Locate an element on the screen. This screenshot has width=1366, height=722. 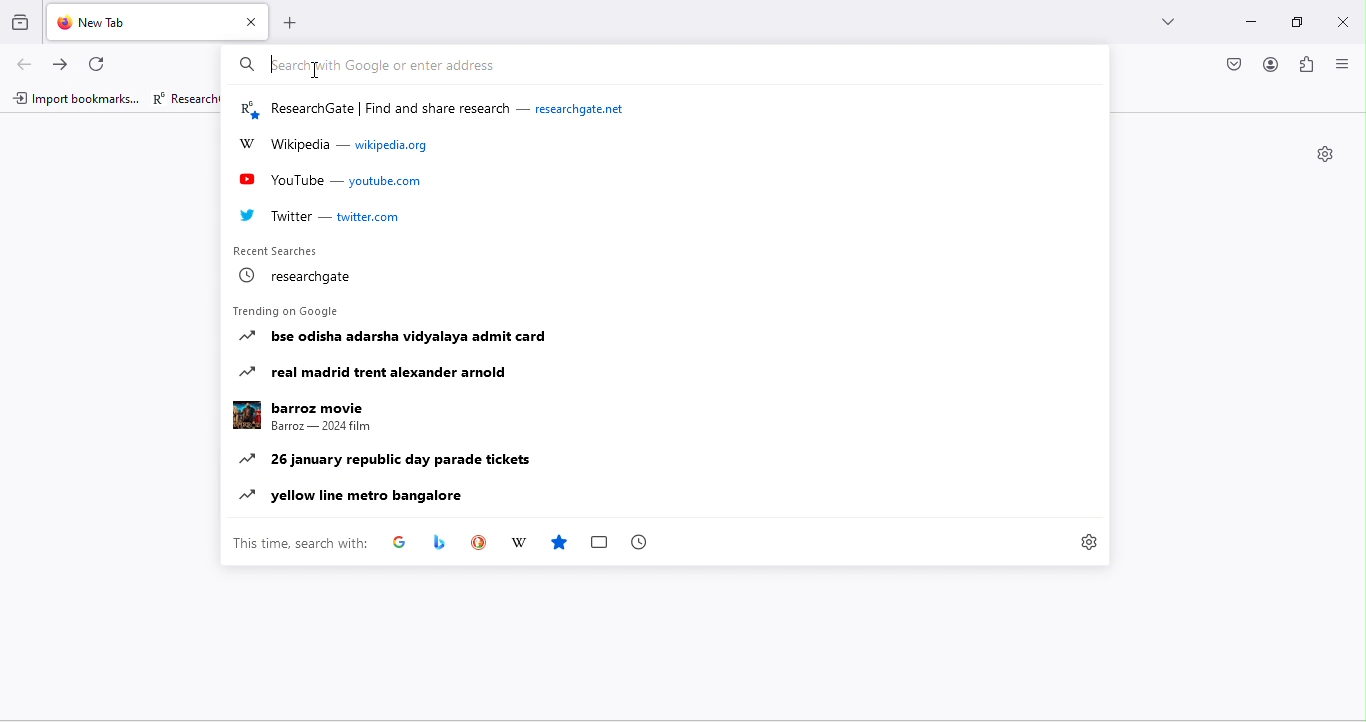
real madrid trent alexander arnold is located at coordinates (374, 373).